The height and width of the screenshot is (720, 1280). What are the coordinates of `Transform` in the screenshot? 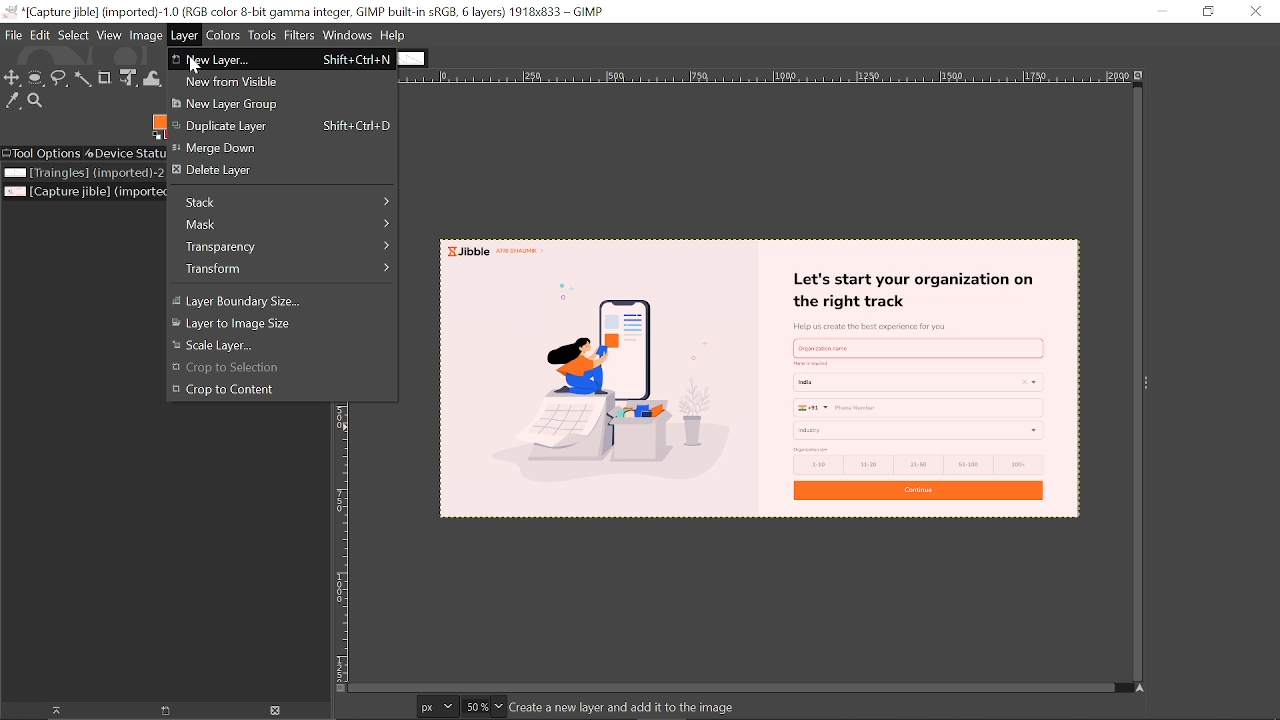 It's located at (282, 272).